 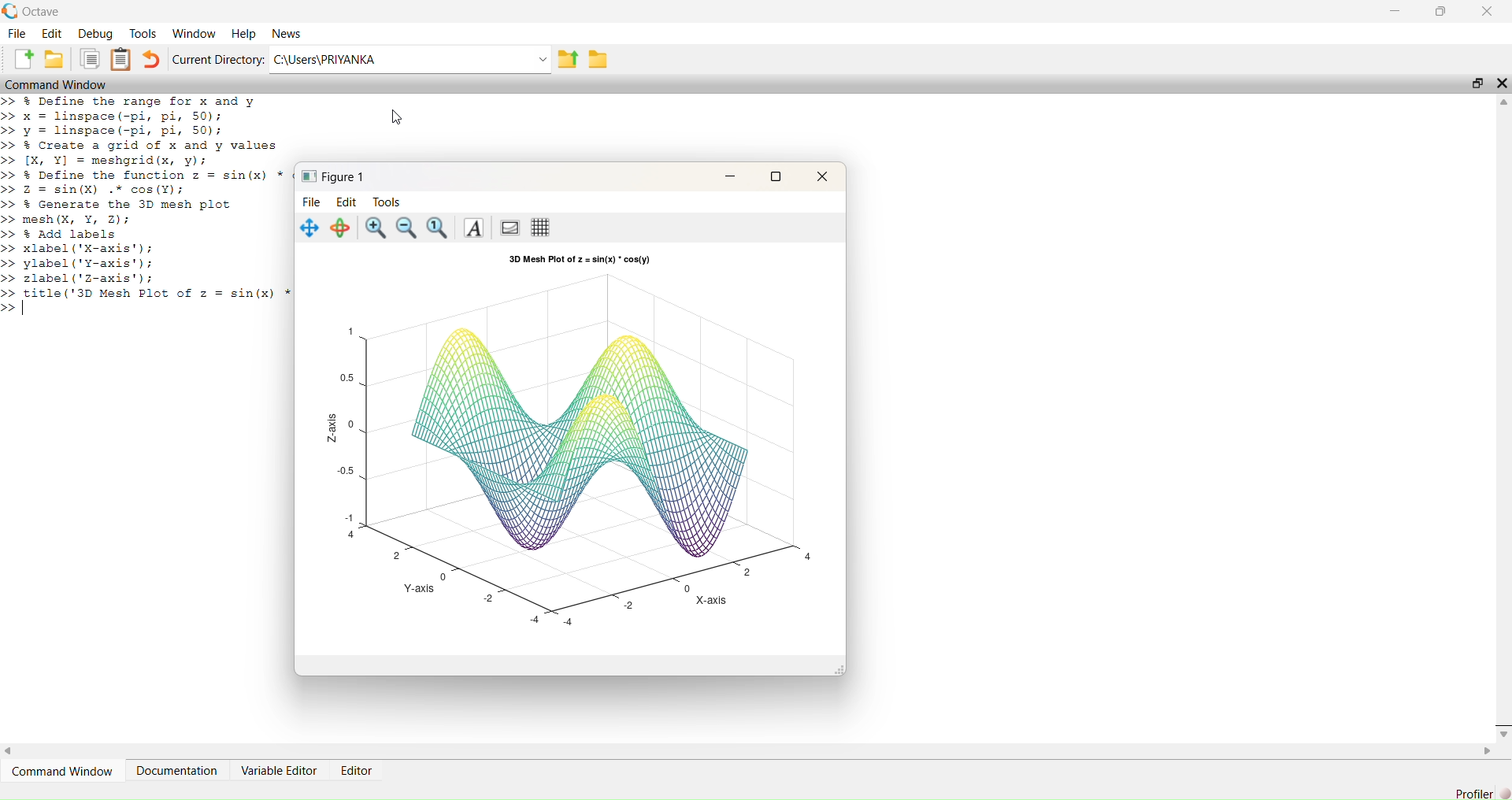 I want to click on Plot, so click(x=580, y=453).